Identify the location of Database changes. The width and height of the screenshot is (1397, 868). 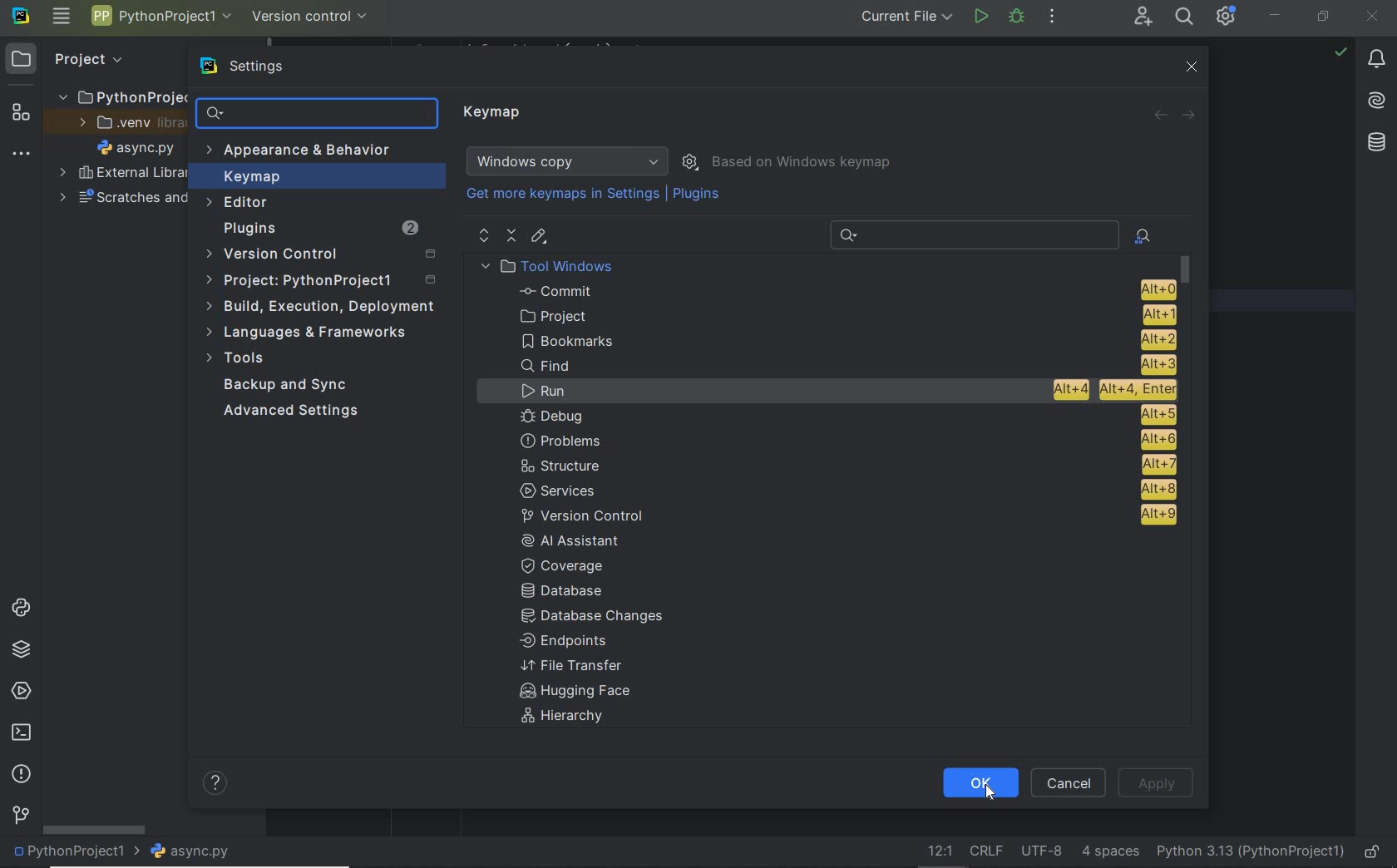
(594, 618).